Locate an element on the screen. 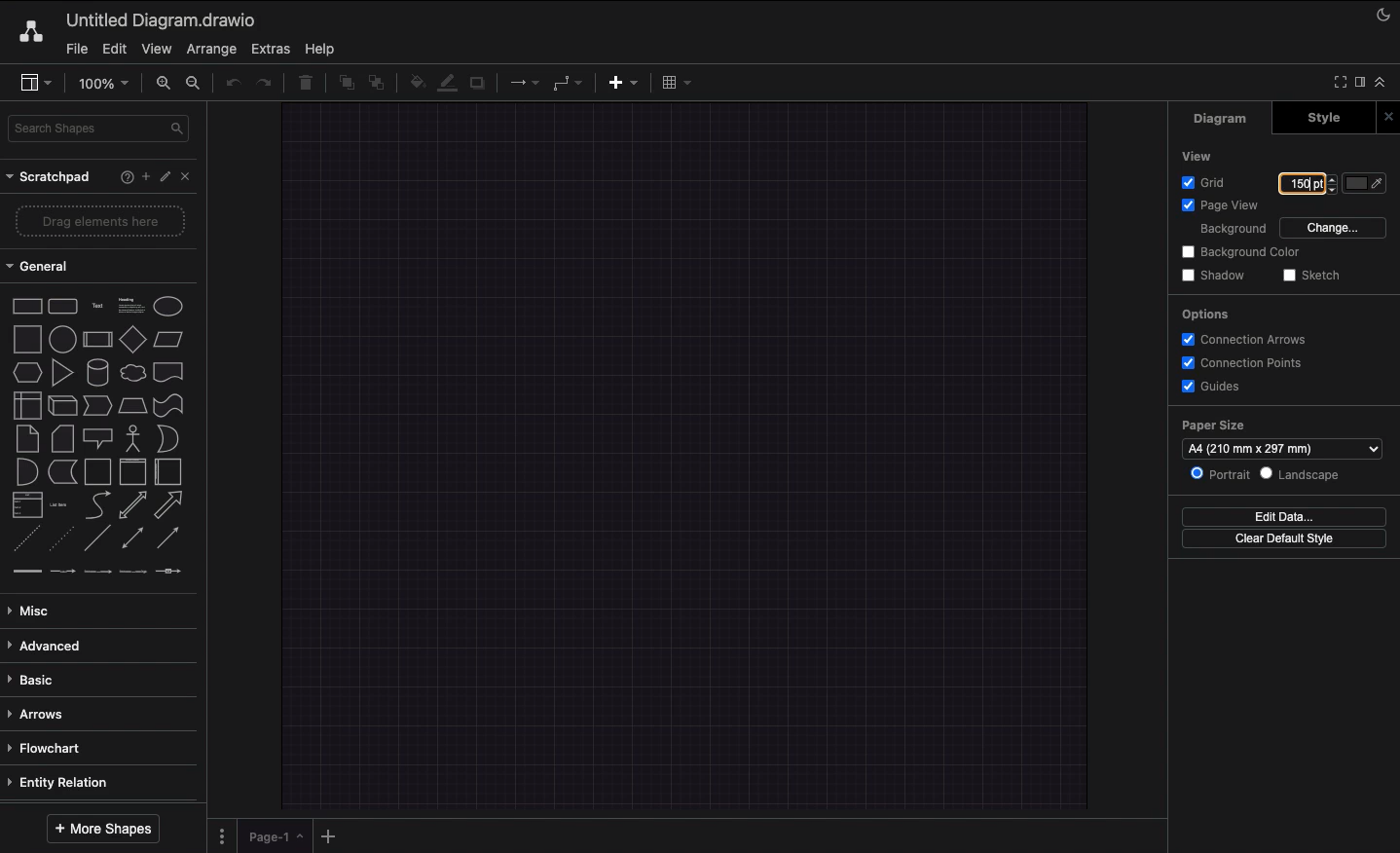 This screenshot has width=1400, height=853. Waypoint is located at coordinates (568, 82).